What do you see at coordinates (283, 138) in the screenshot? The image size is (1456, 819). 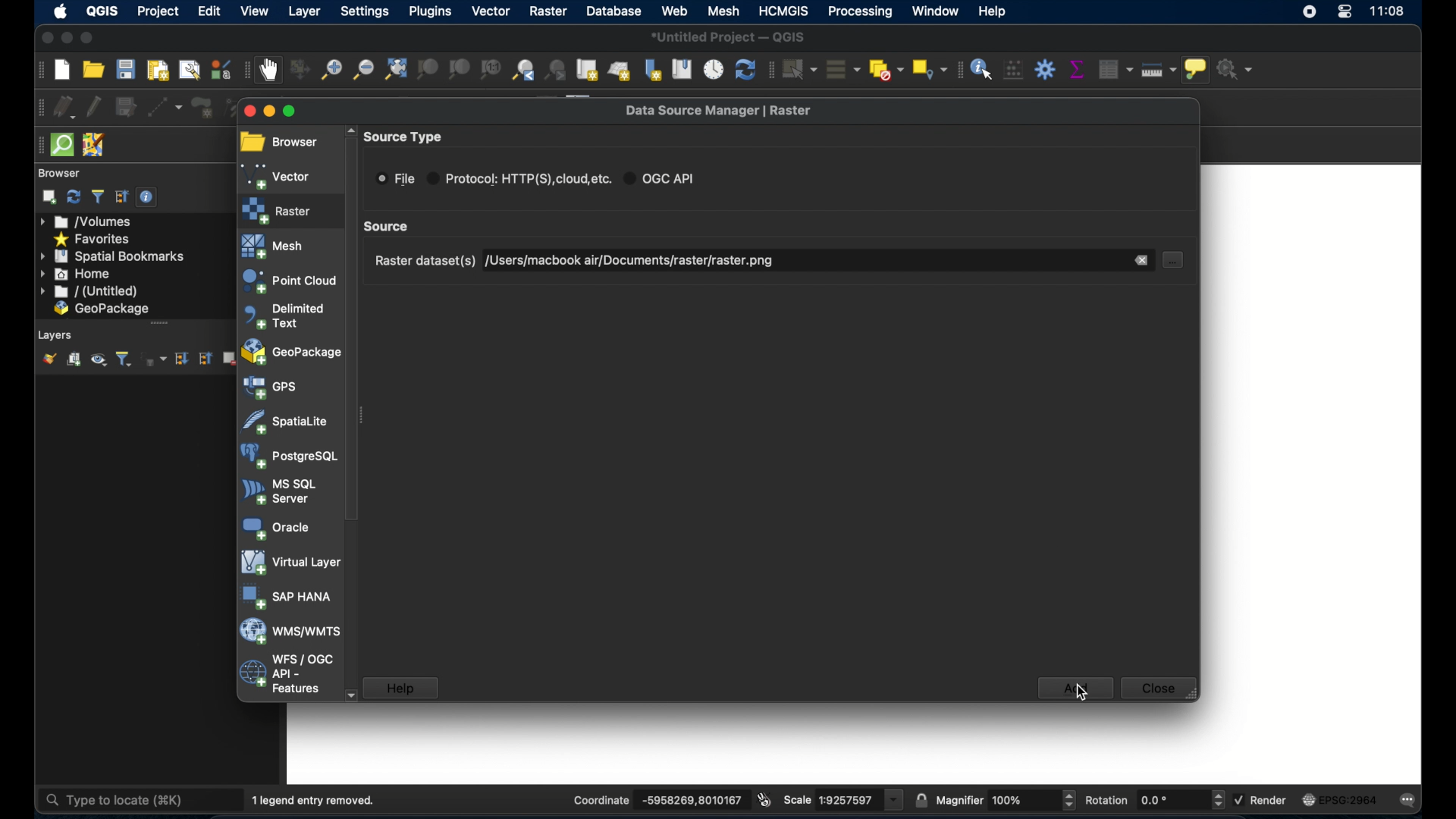 I see `browser` at bounding box center [283, 138].